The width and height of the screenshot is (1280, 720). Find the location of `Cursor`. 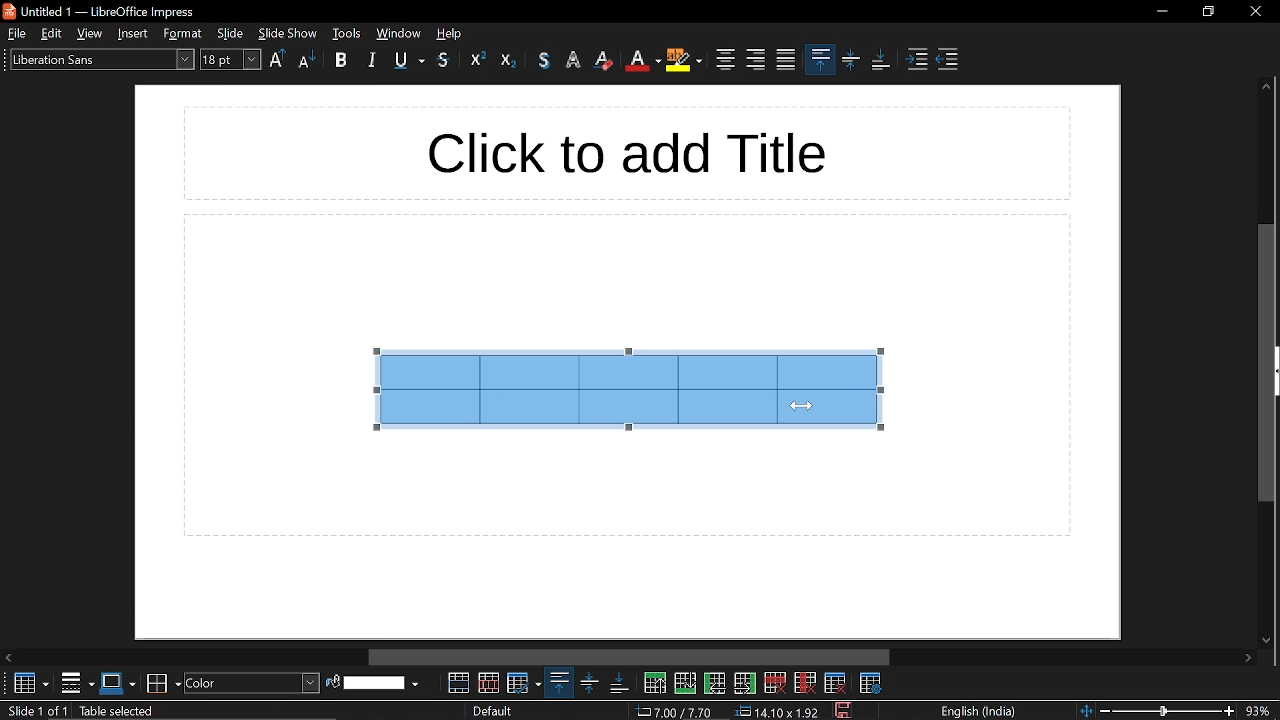

Cursor is located at coordinates (800, 409).